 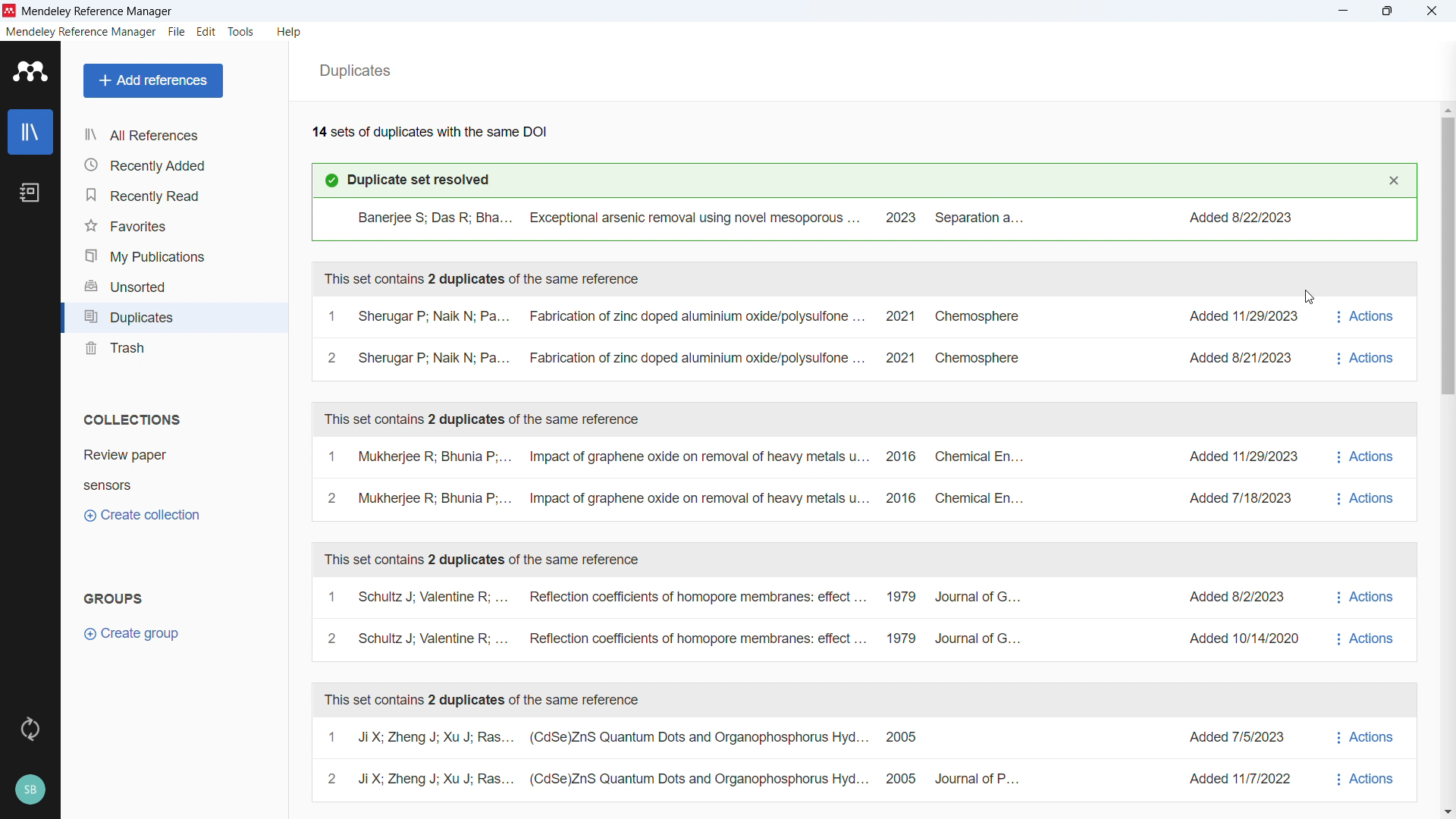 What do you see at coordinates (482, 278) in the screenshot?
I see `This set contains two duplicates of the same reference` at bounding box center [482, 278].